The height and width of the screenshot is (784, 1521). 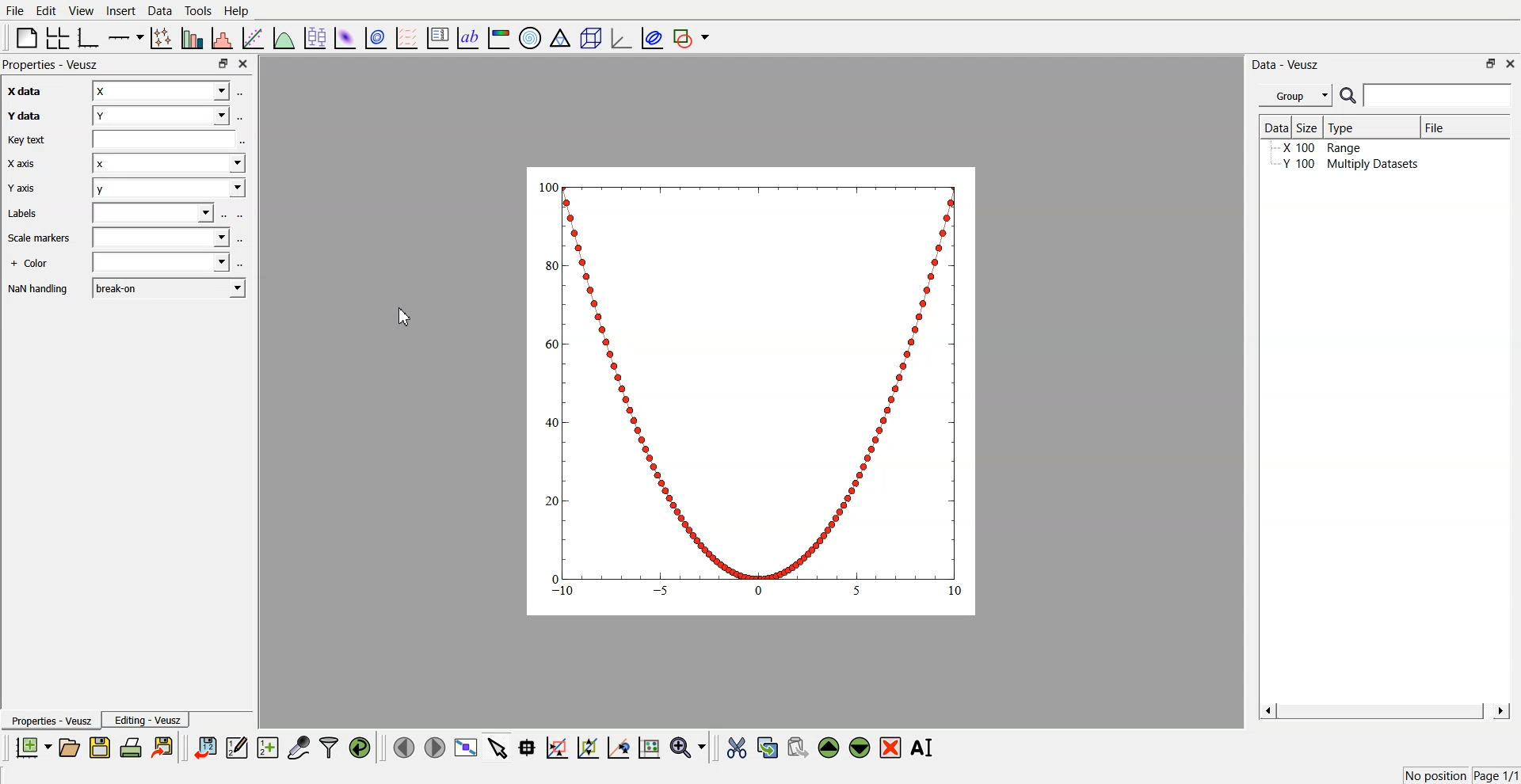 What do you see at coordinates (1350, 95) in the screenshot?
I see `search icon` at bounding box center [1350, 95].